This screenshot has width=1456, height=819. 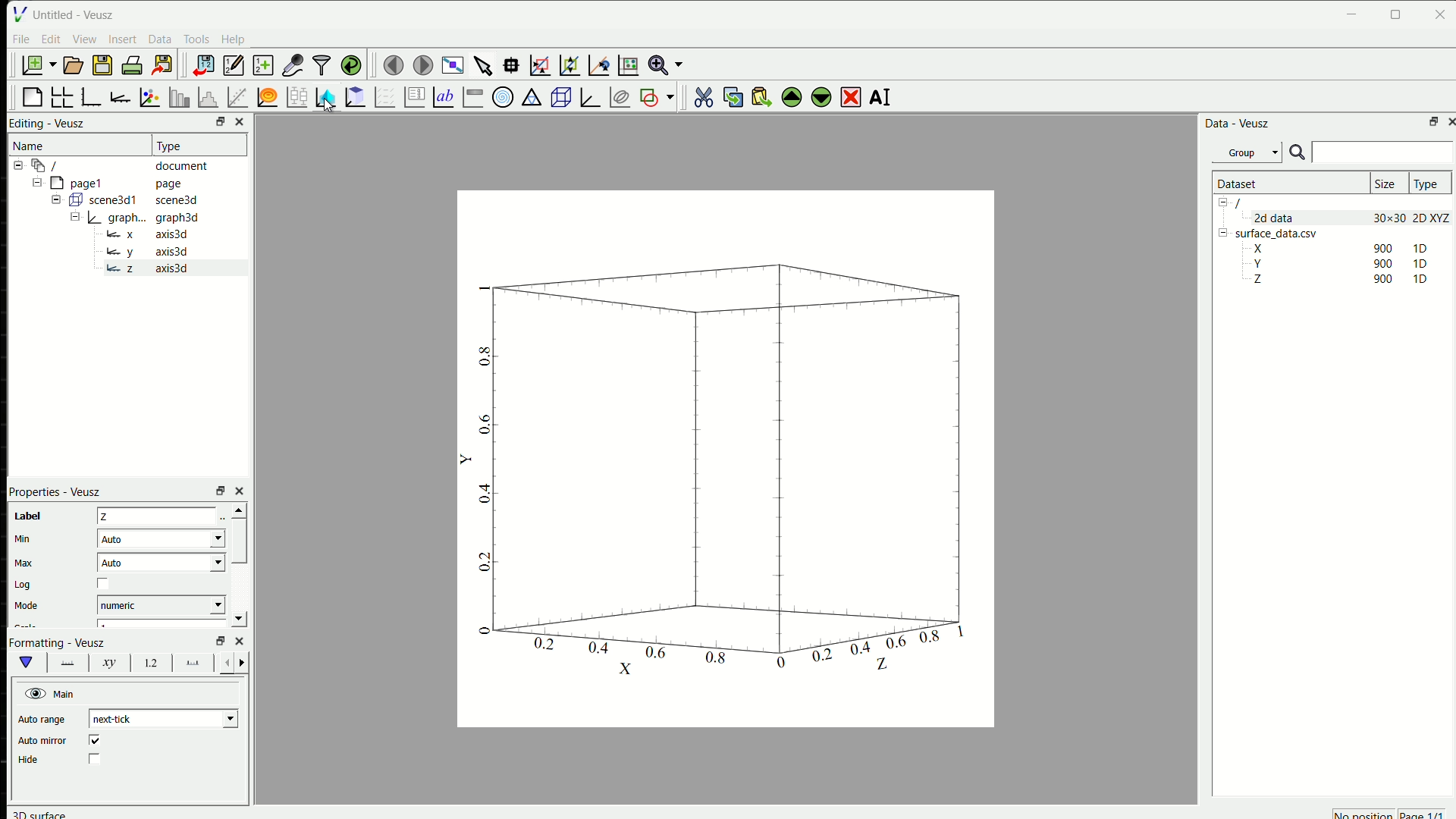 I want to click on axis3d, so click(x=171, y=252).